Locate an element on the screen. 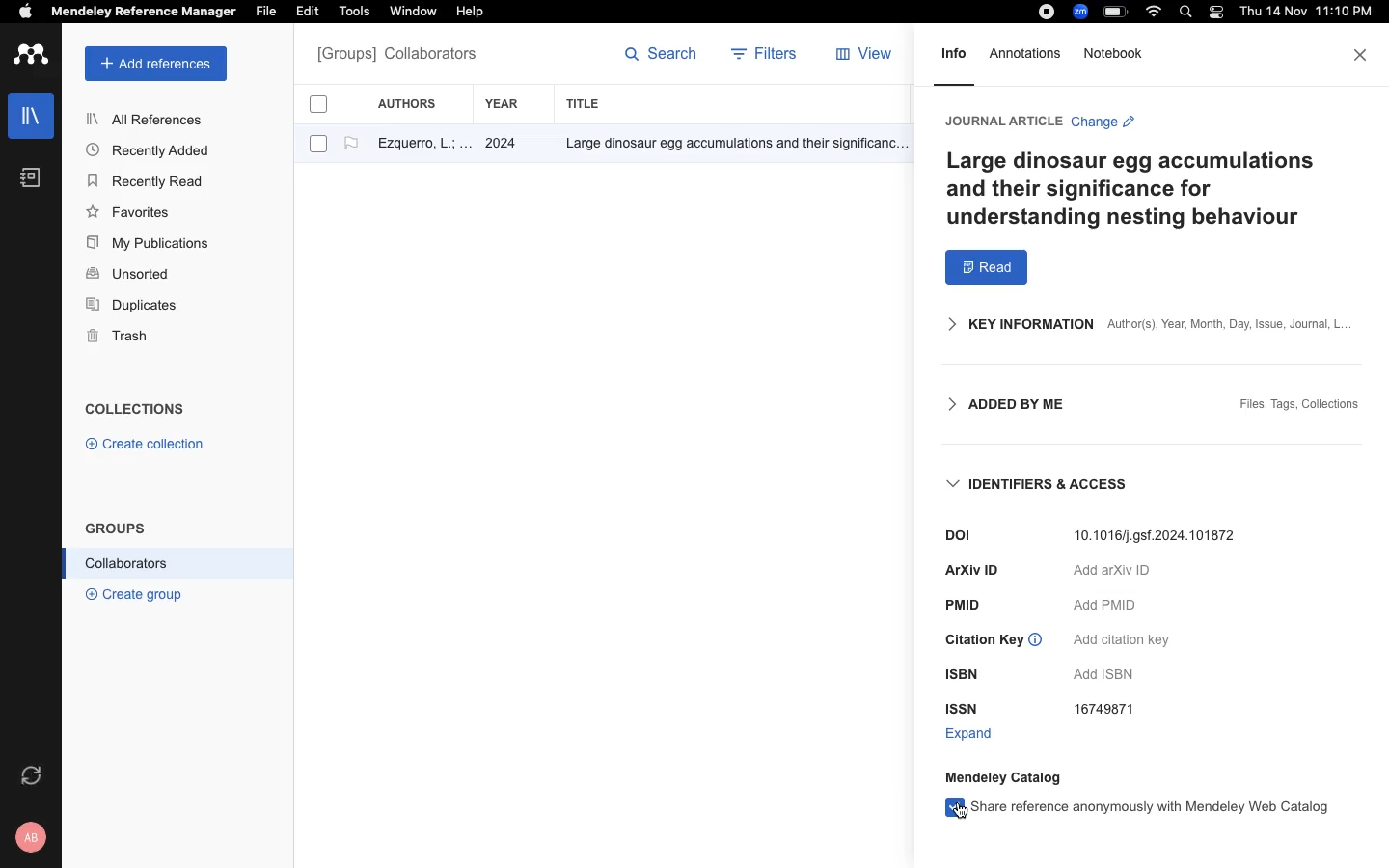 The width and height of the screenshot is (1389, 868). ‘Window is located at coordinates (415, 14).